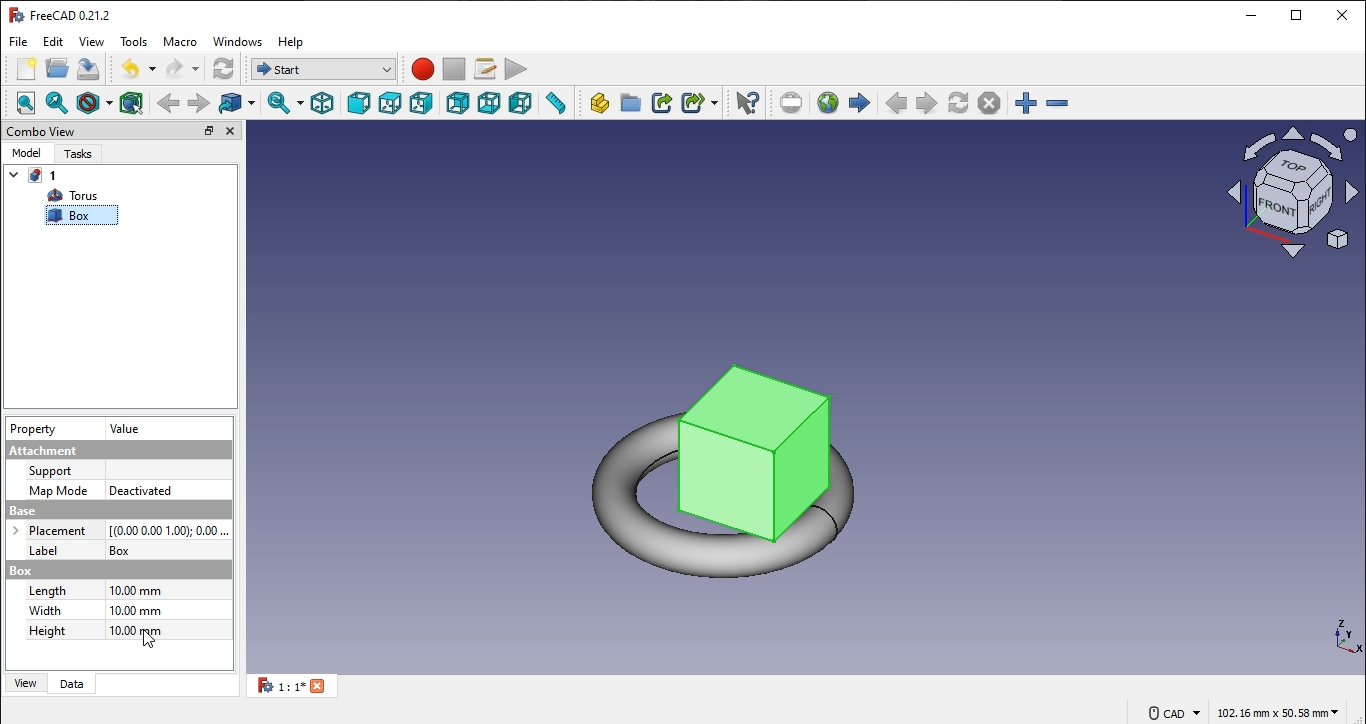  Describe the element at coordinates (28, 69) in the screenshot. I see `new file` at that location.